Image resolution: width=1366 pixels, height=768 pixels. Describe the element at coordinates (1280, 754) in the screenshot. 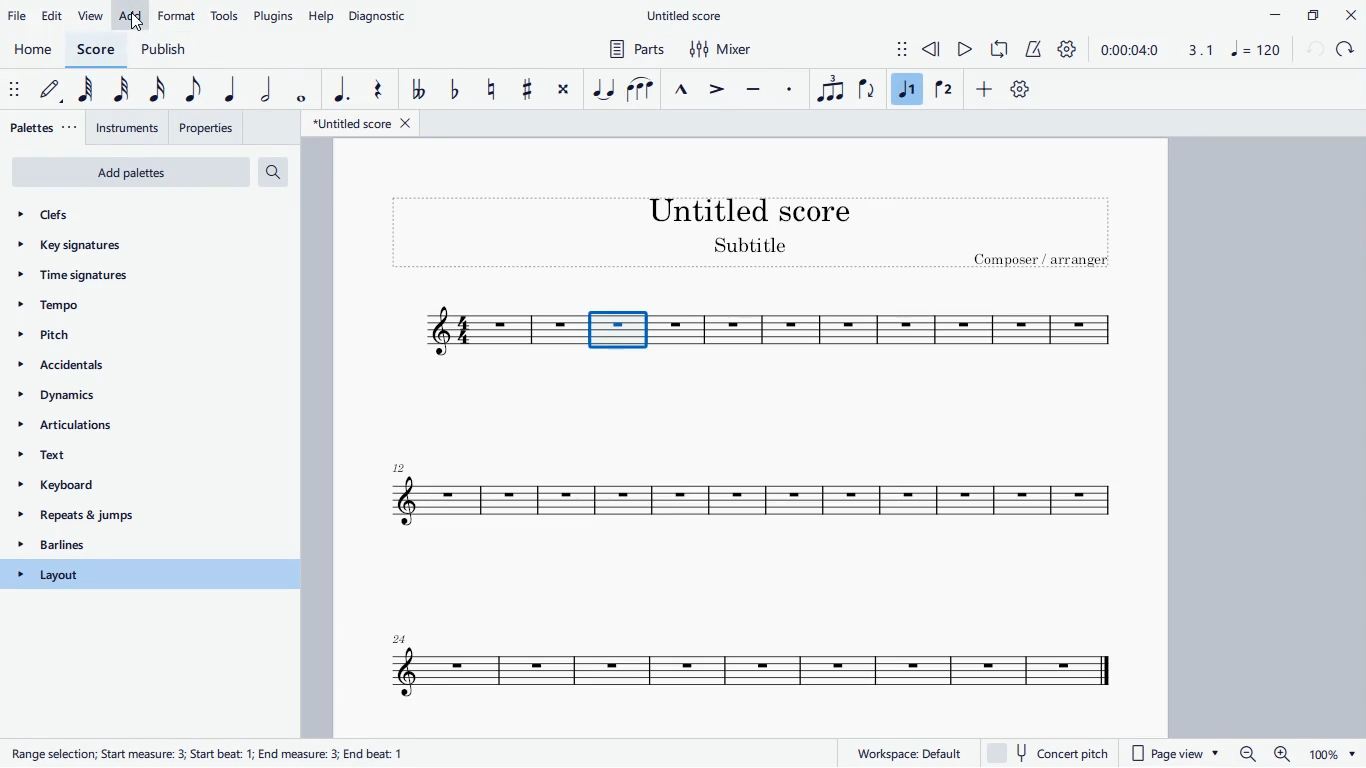

I see `zoom in` at that location.